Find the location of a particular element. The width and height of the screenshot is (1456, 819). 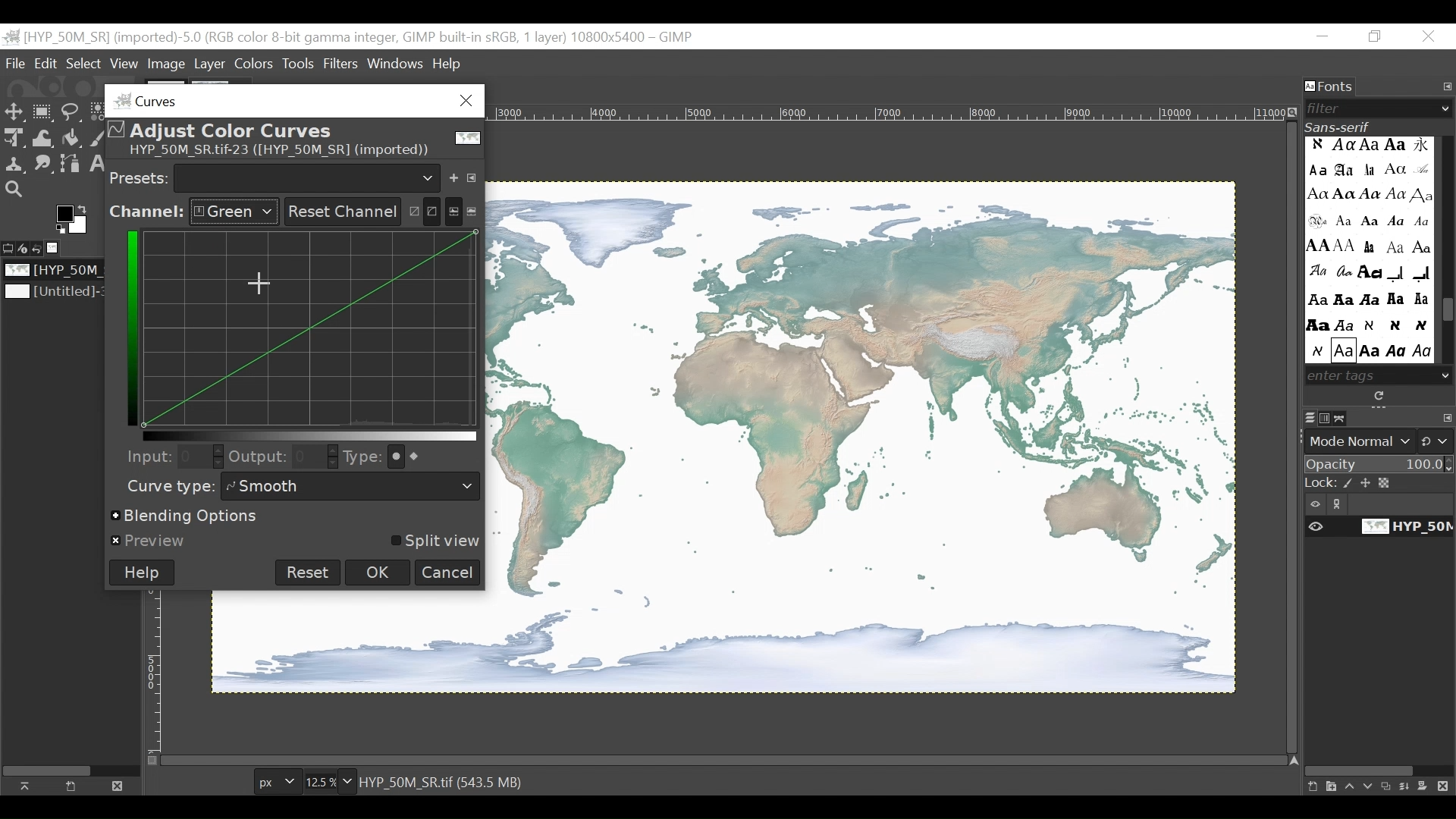

Rectangle Select tool is located at coordinates (43, 113).